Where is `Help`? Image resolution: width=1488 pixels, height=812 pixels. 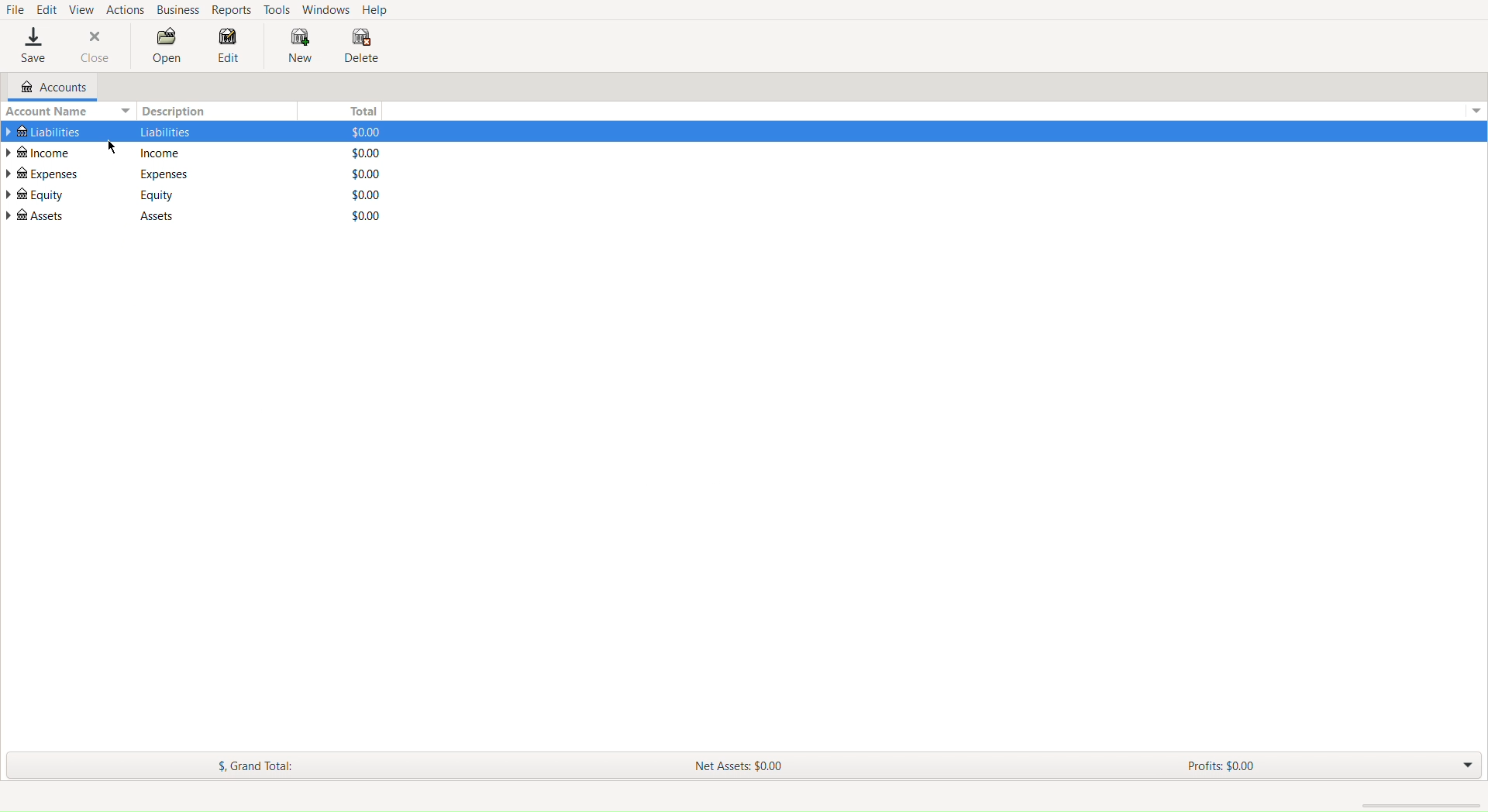 Help is located at coordinates (382, 10).